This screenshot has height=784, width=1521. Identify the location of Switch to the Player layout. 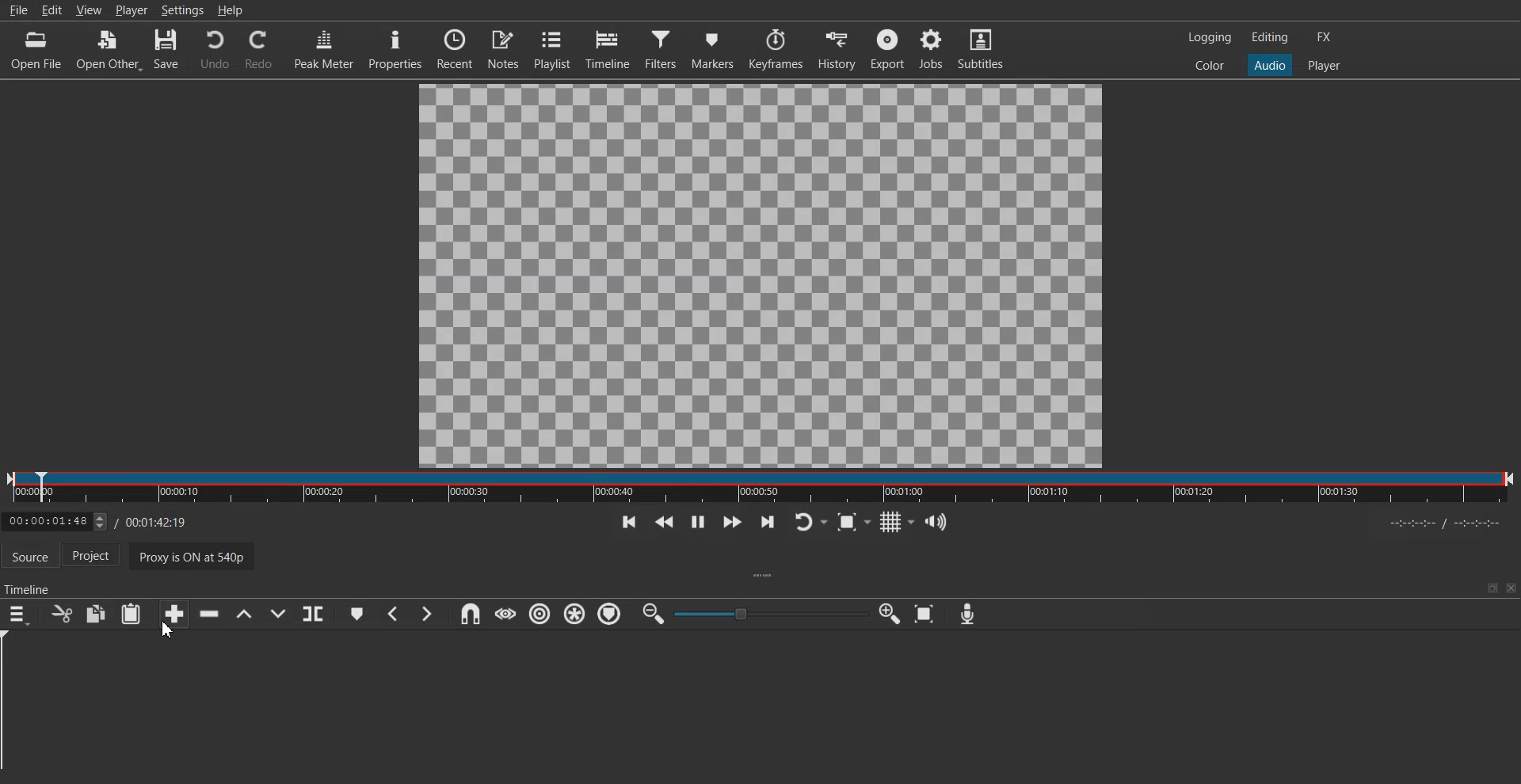
(1325, 64).